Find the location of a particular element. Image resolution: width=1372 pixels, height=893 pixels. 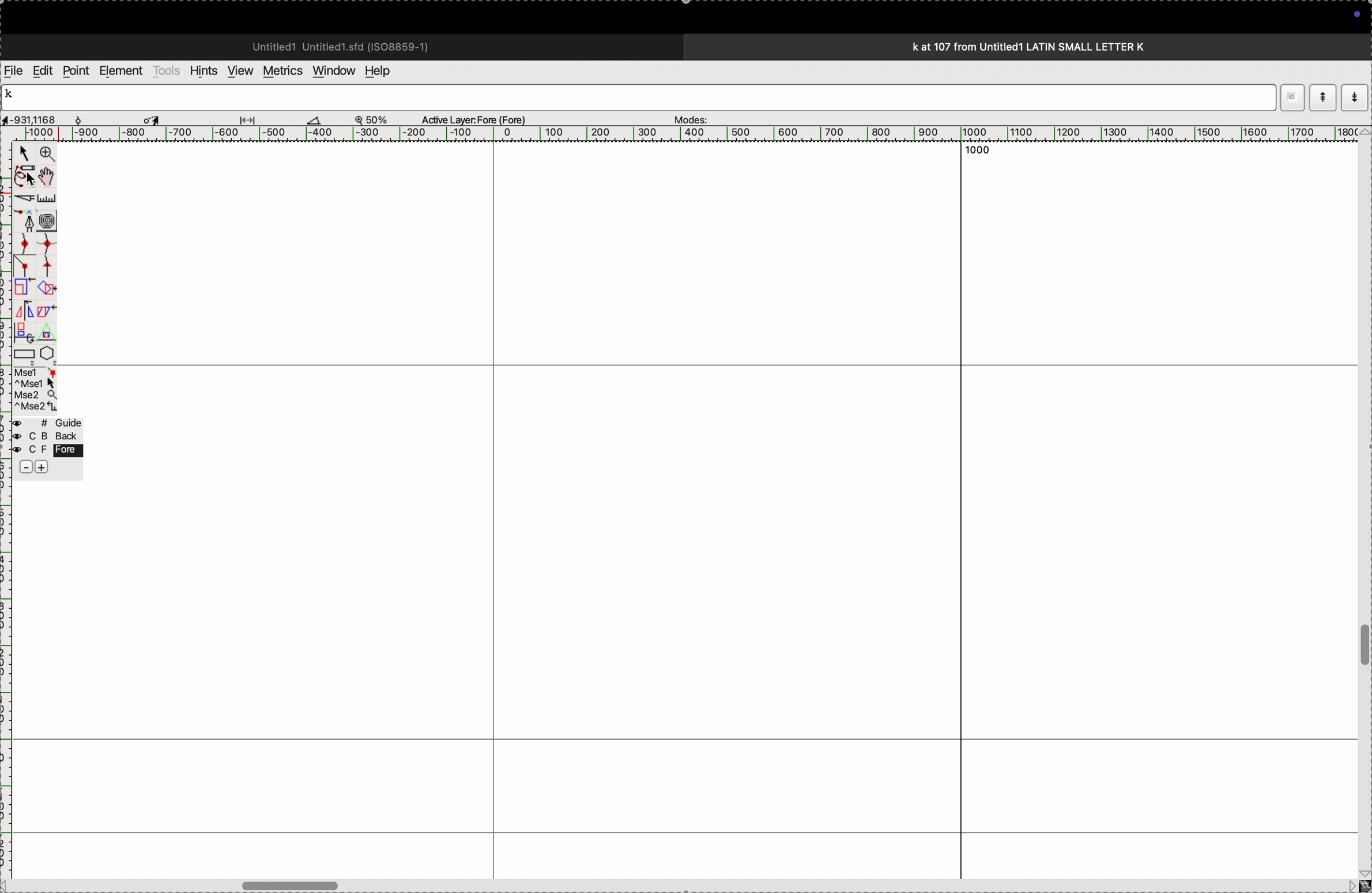

active kayer is located at coordinates (481, 119).